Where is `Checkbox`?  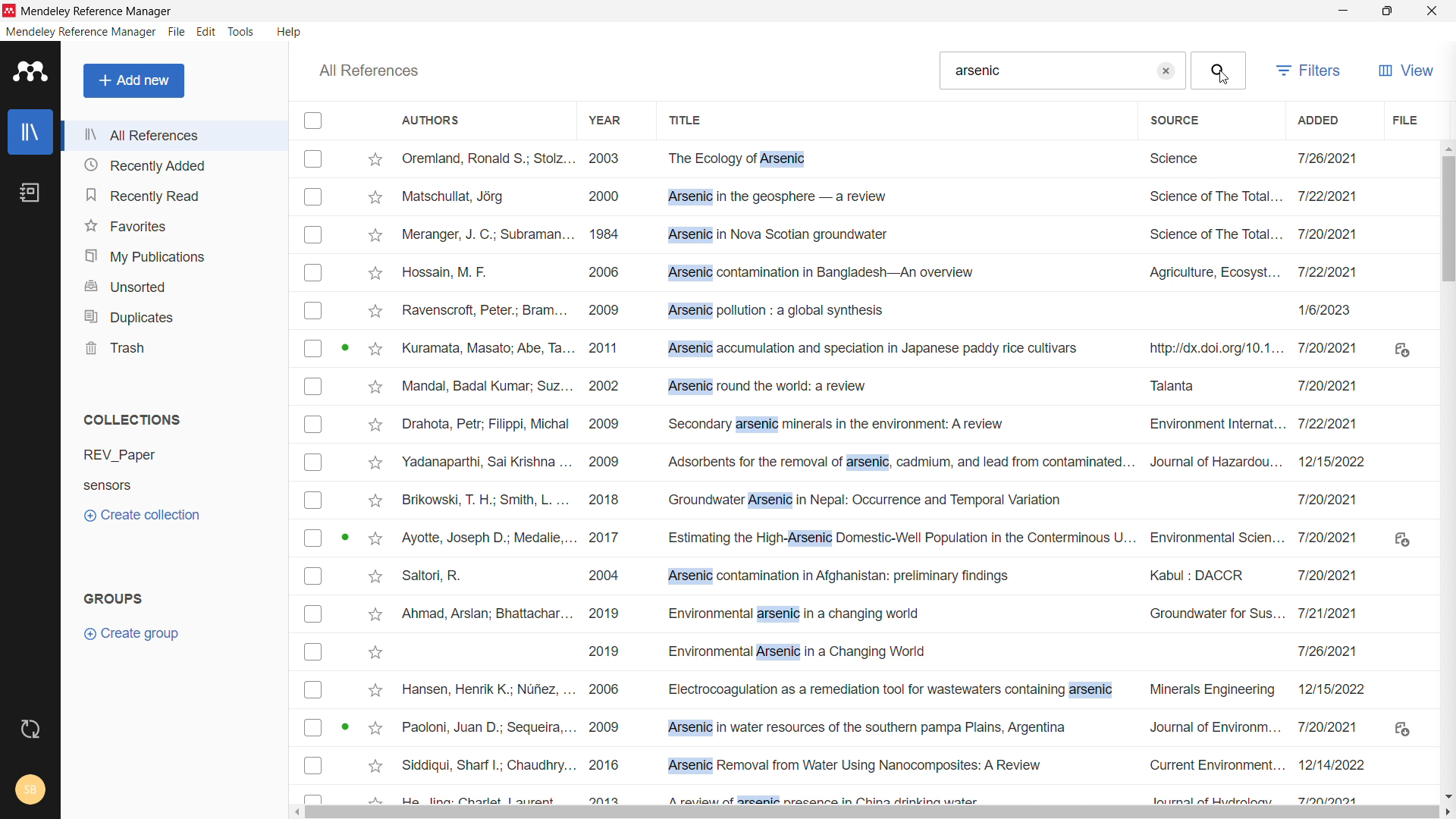 Checkbox is located at coordinates (314, 272).